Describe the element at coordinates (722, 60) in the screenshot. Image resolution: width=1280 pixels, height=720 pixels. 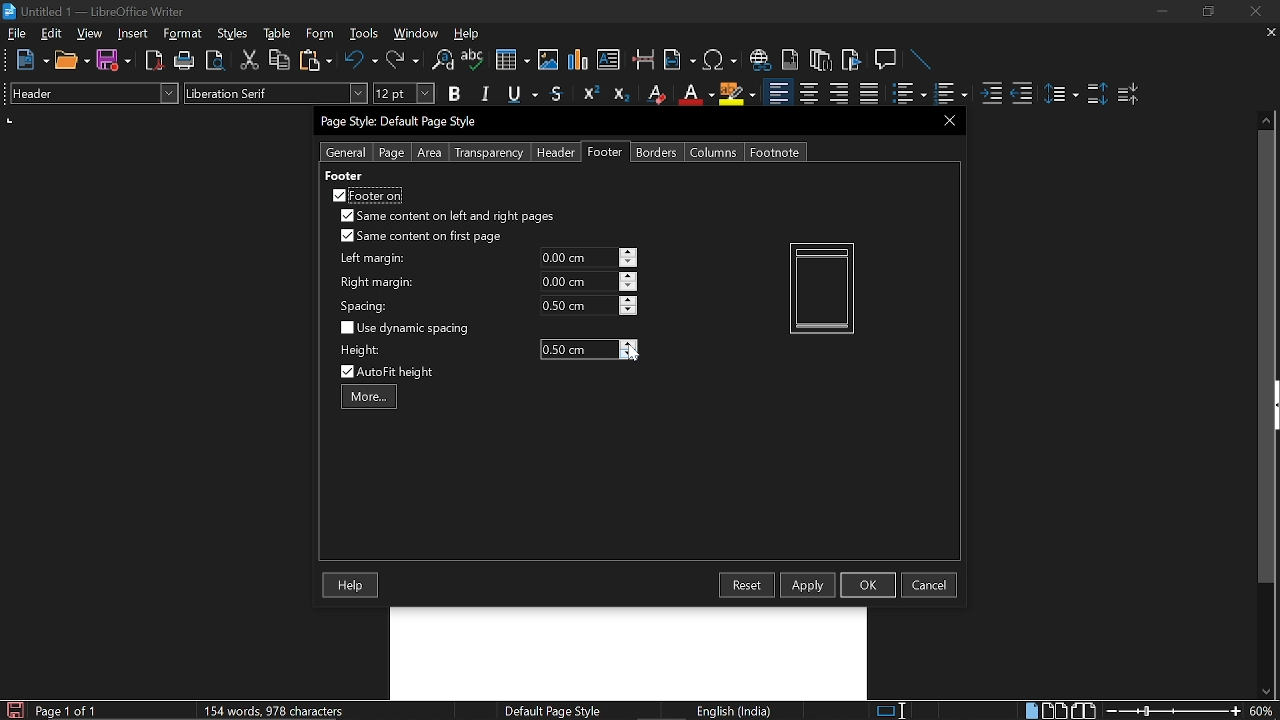
I see `Insert symbol` at that location.